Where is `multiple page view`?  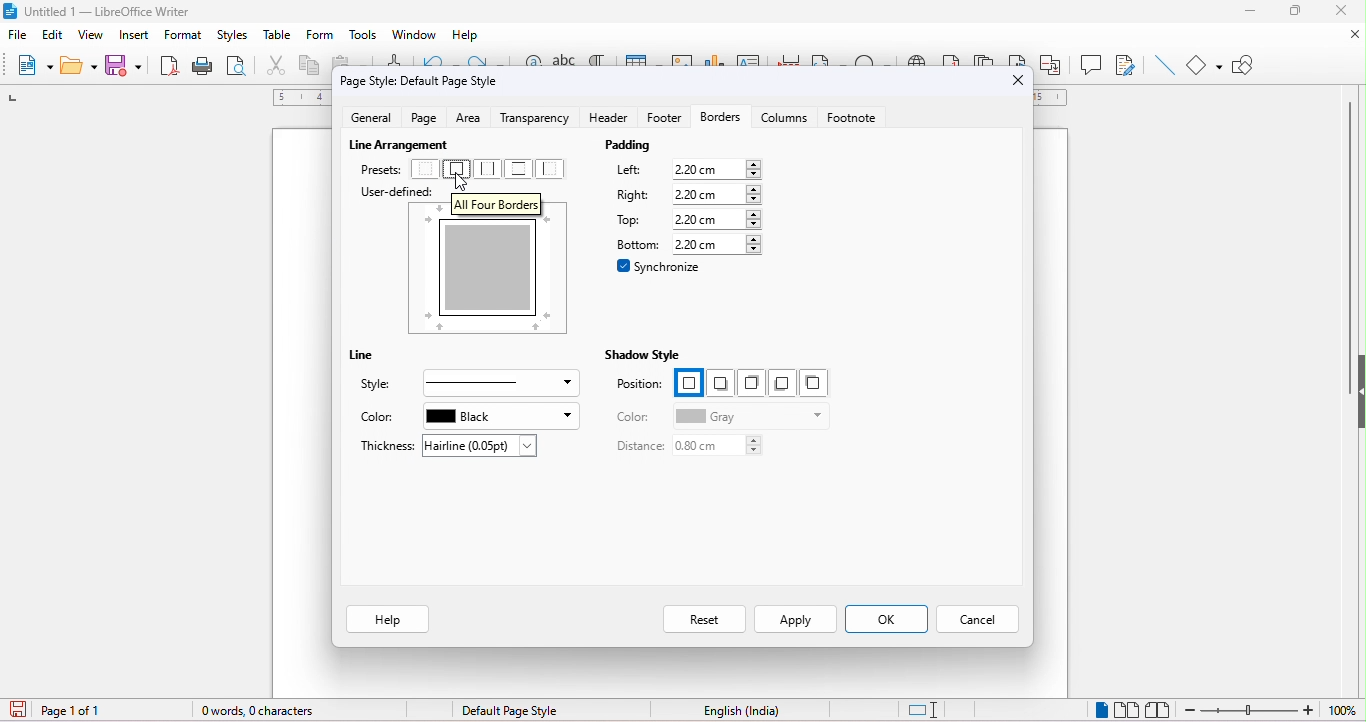 multiple page view is located at coordinates (1126, 707).